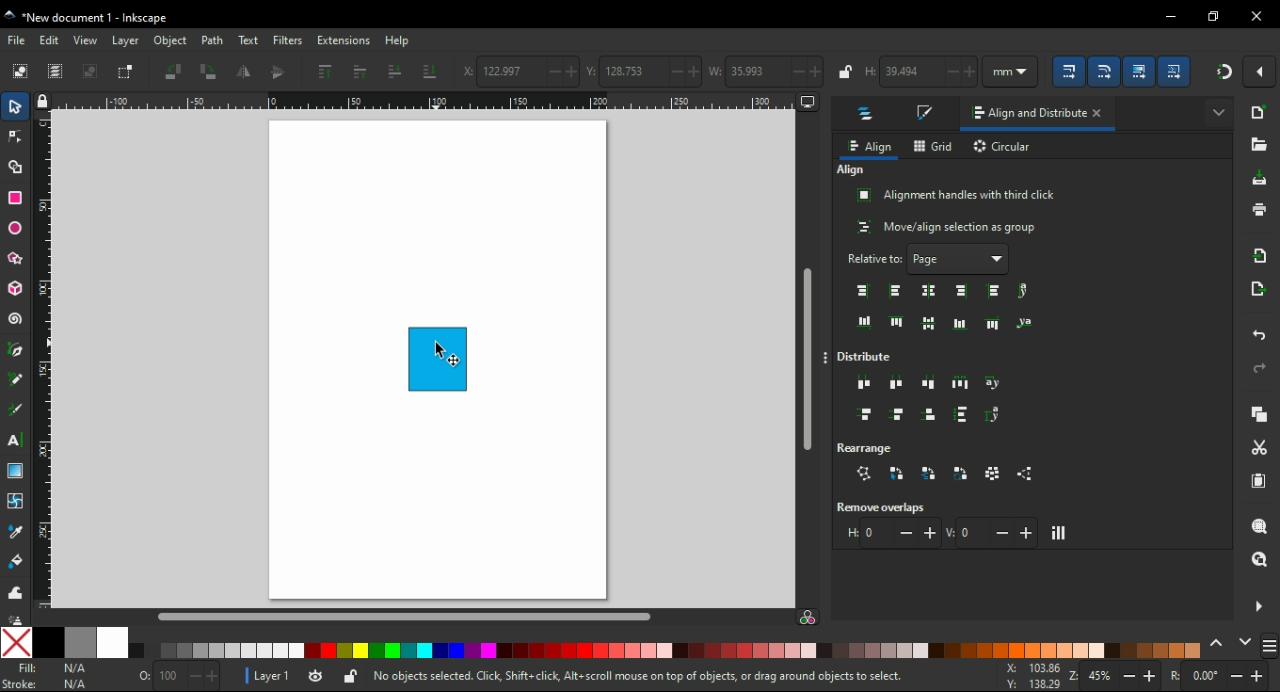  I want to click on paint bucket tool, so click(16, 561).